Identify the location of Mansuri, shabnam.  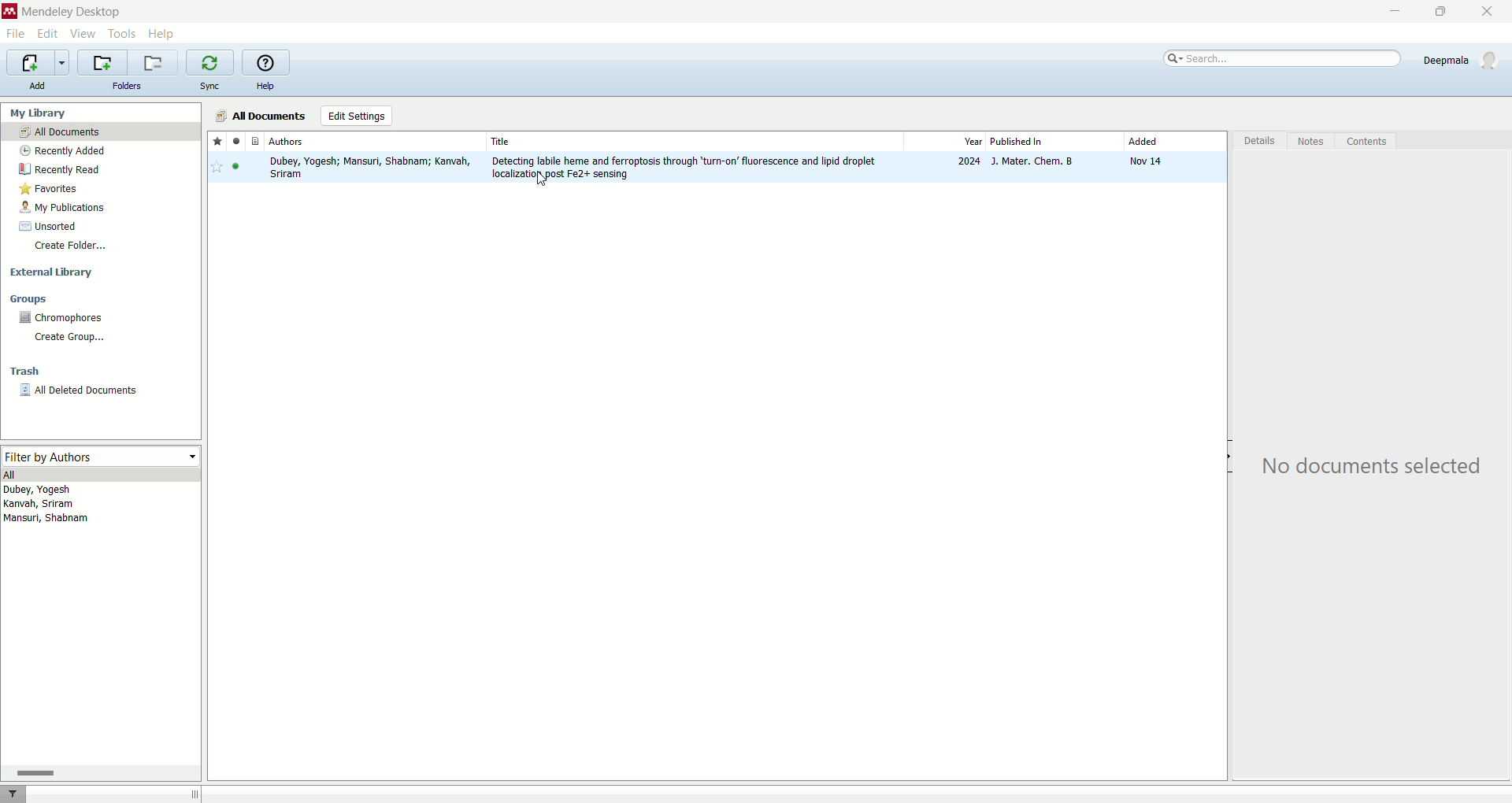
(49, 520).